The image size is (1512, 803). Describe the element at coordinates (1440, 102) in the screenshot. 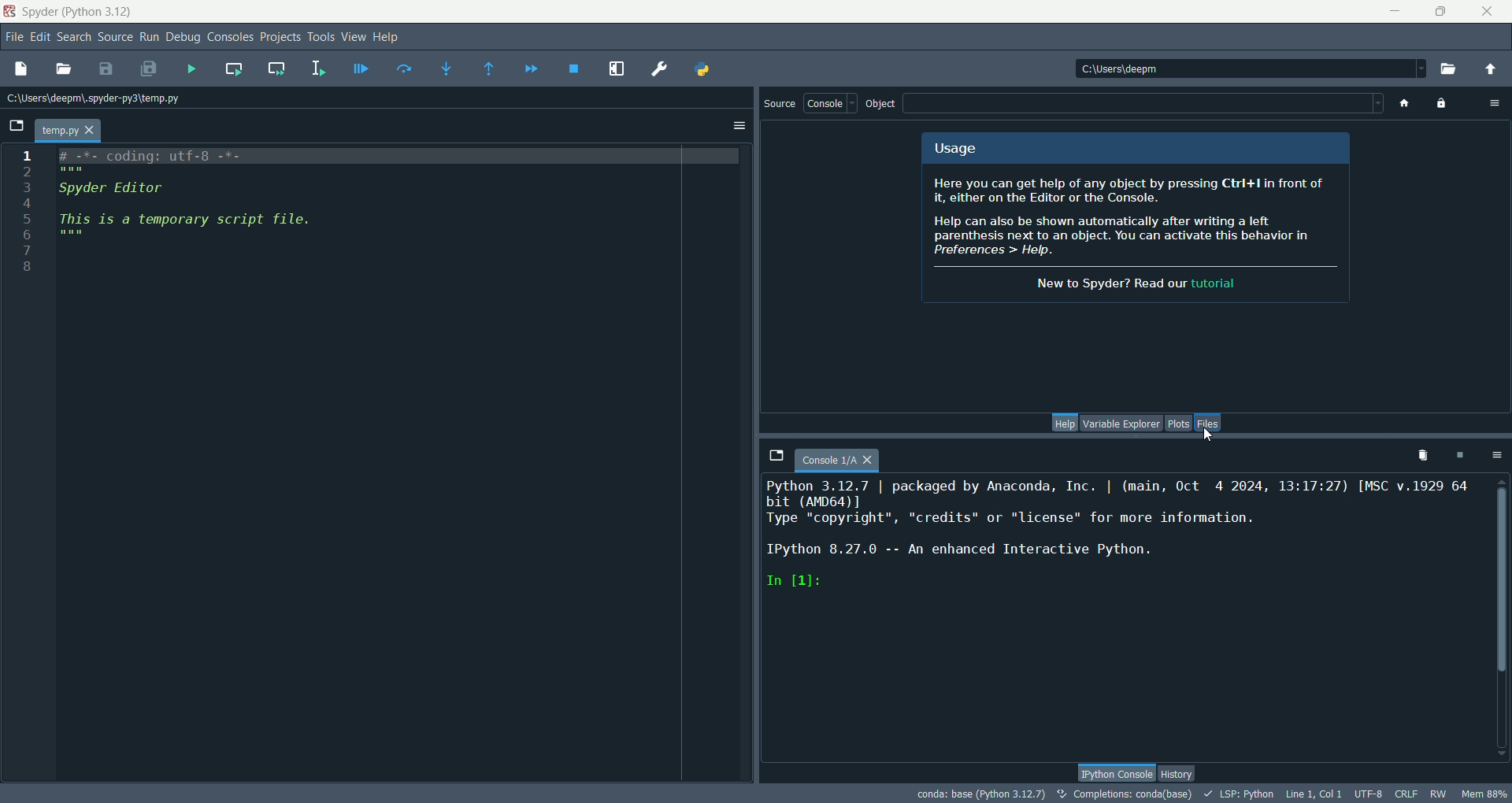

I see `lock` at that location.